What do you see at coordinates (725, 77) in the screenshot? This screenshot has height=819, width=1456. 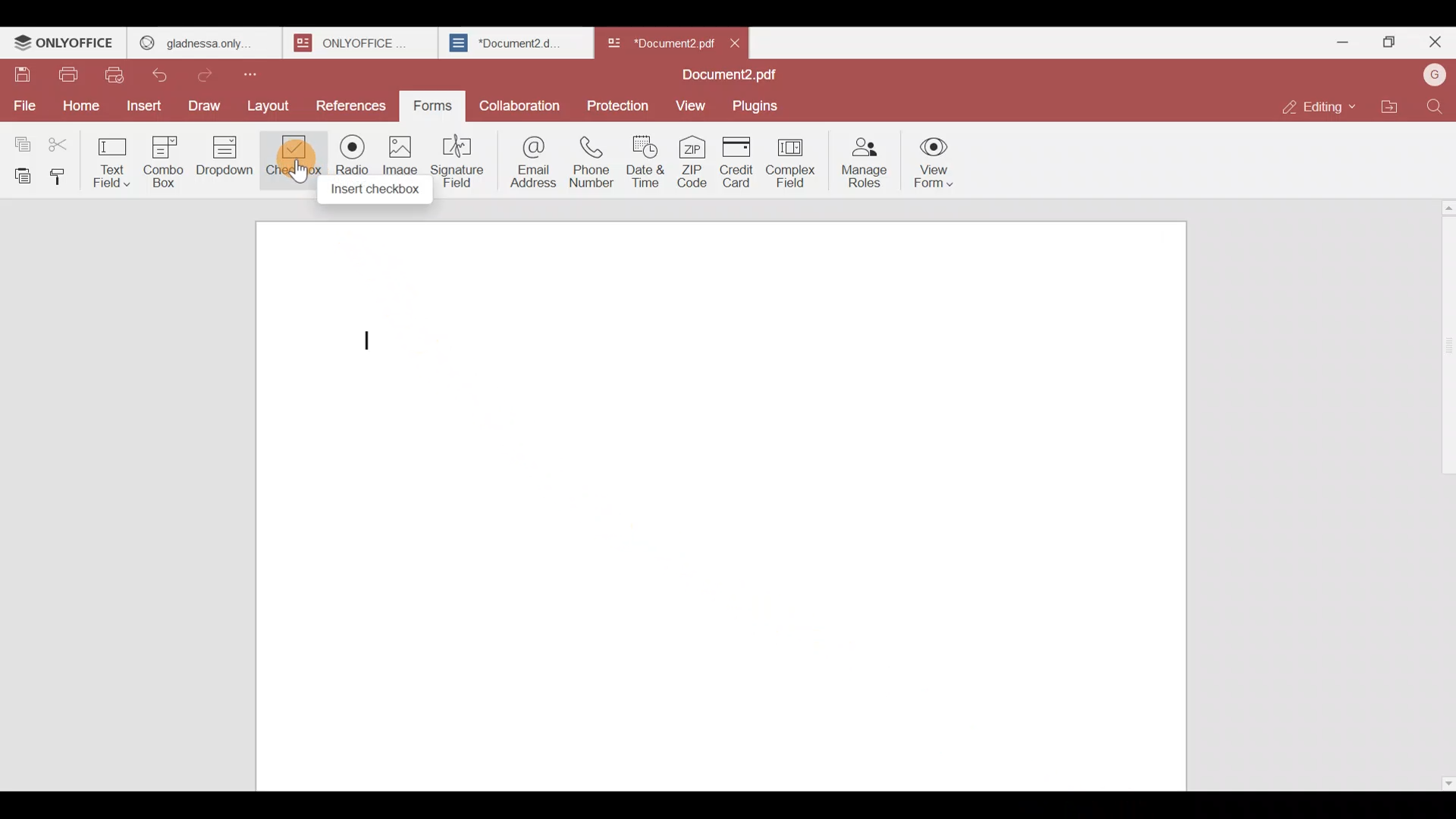 I see `Document2.pdf` at bounding box center [725, 77].